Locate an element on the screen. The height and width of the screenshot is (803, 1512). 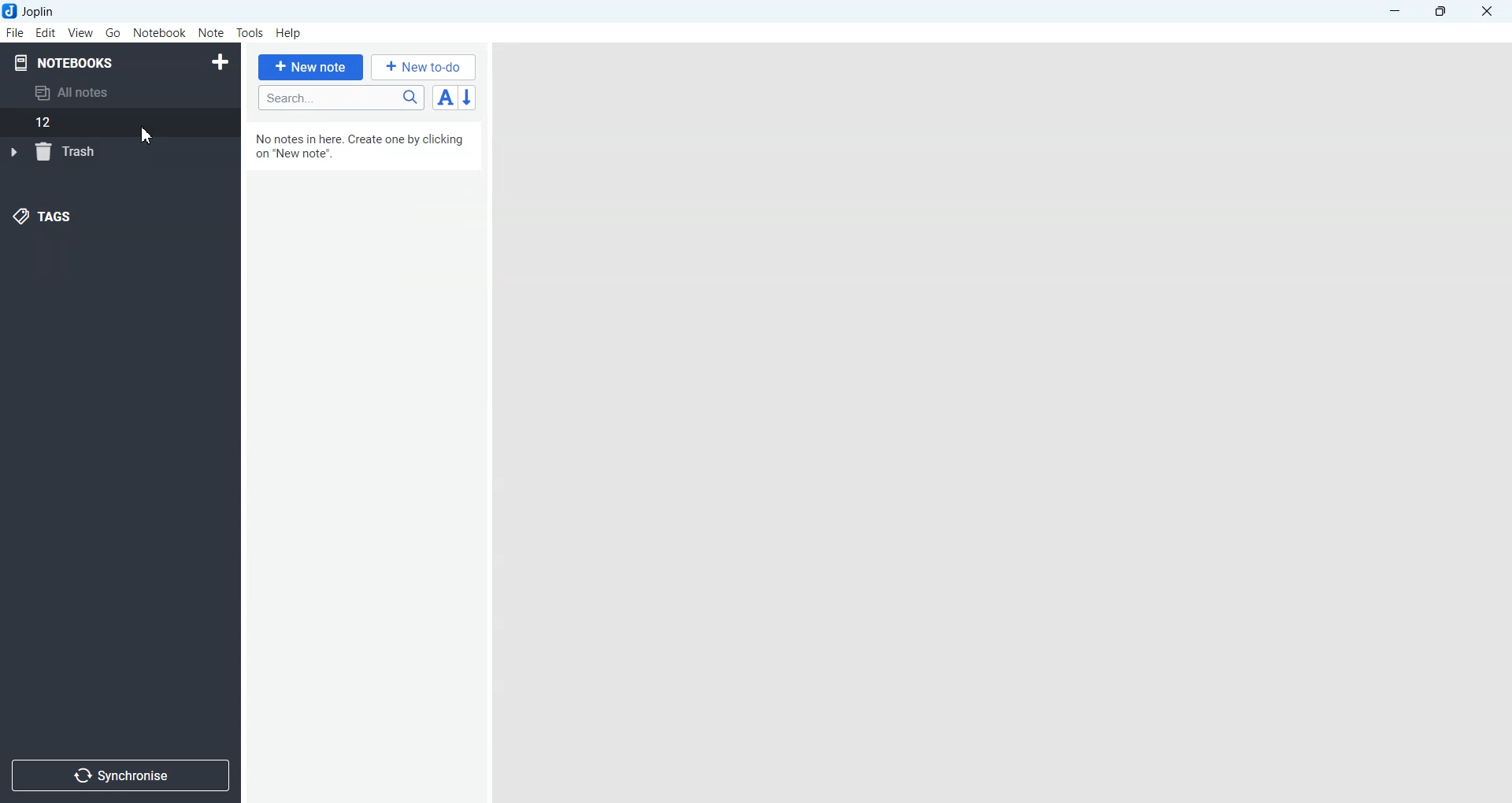
Edit is located at coordinates (46, 32).